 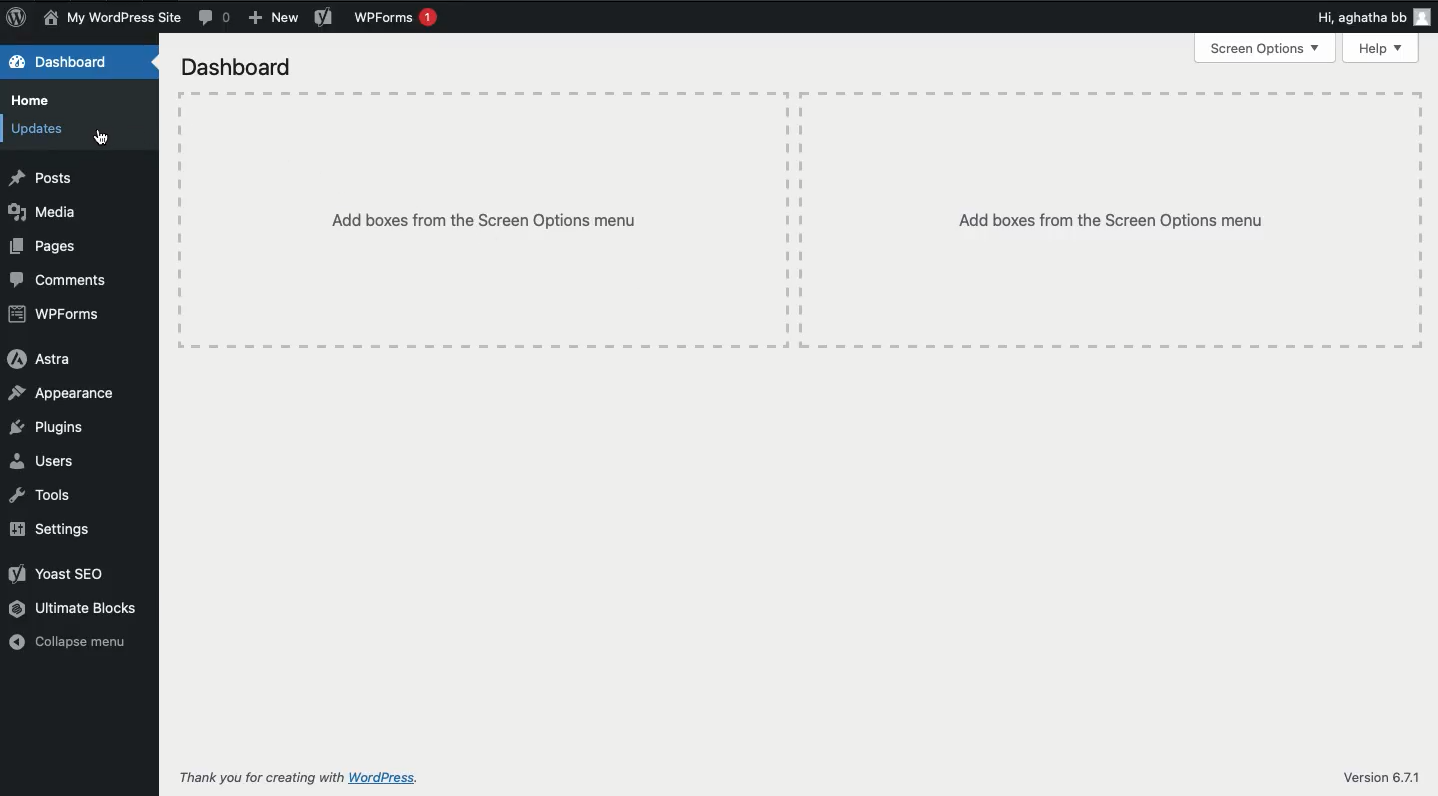 I want to click on Logo, so click(x=19, y=17).